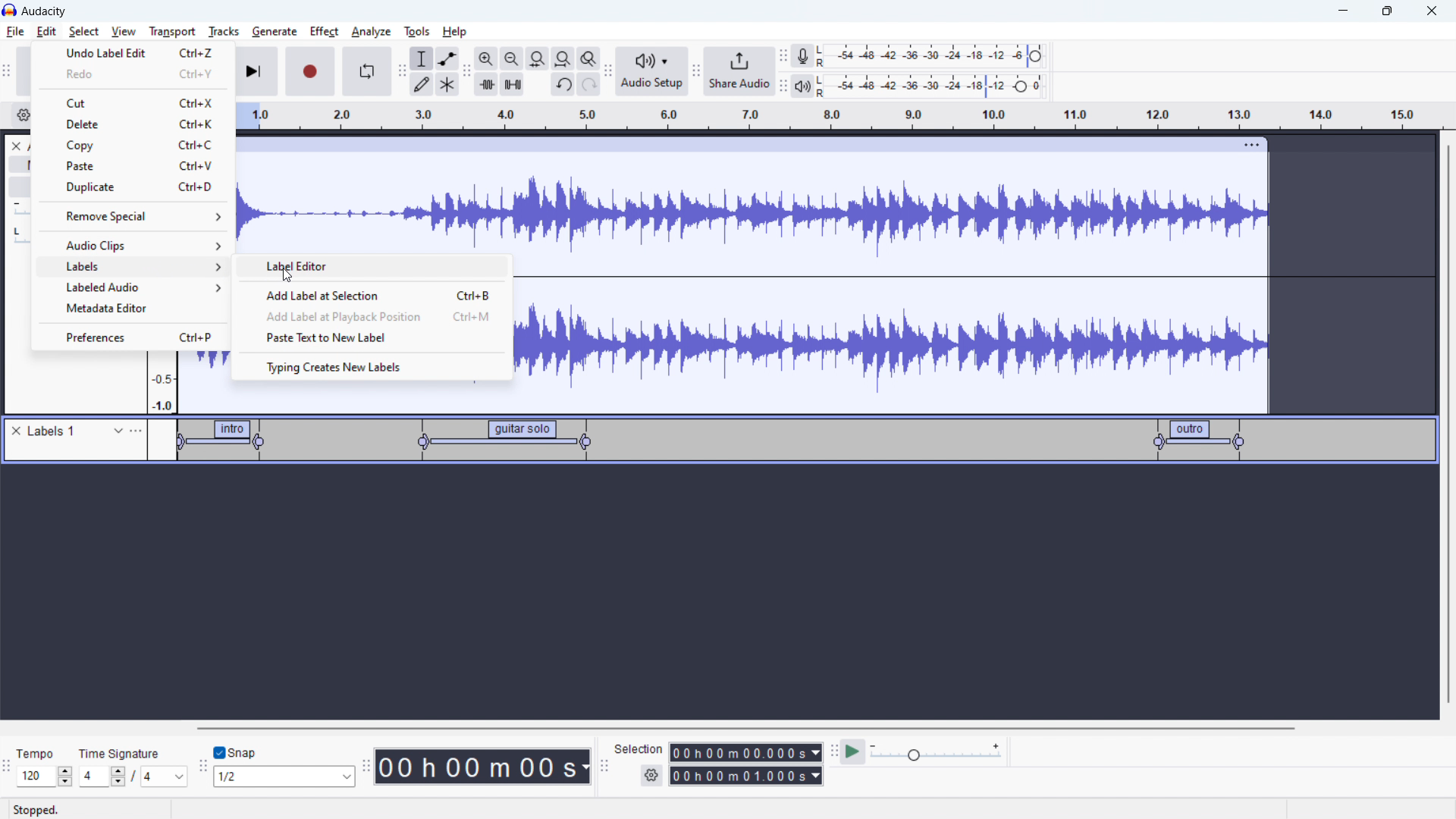 The height and width of the screenshot is (819, 1456). Describe the element at coordinates (1254, 143) in the screenshot. I see `track options` at that location.